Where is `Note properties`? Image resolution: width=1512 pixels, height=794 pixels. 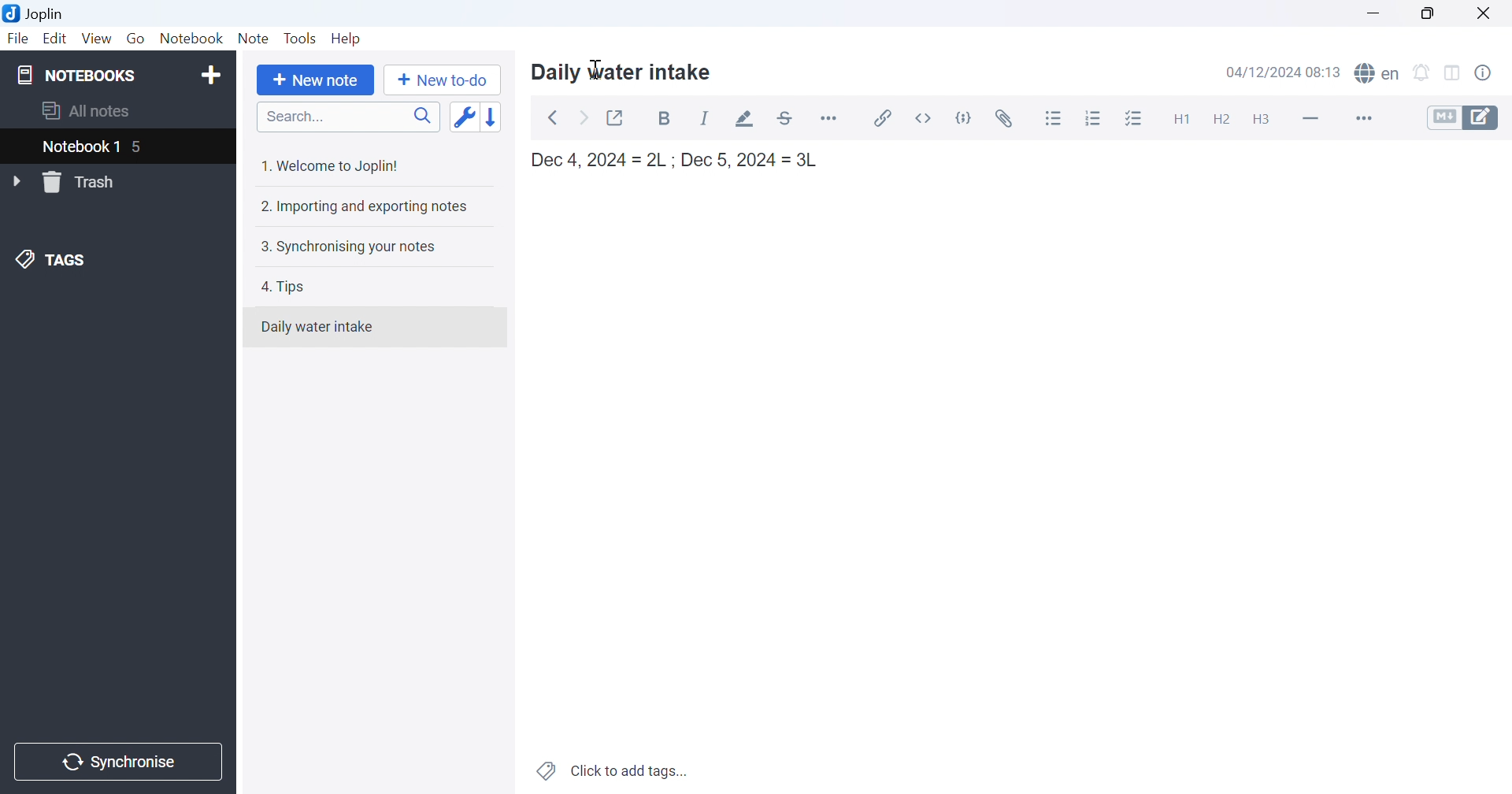
Note properties is located at coordinates (1492, 72).